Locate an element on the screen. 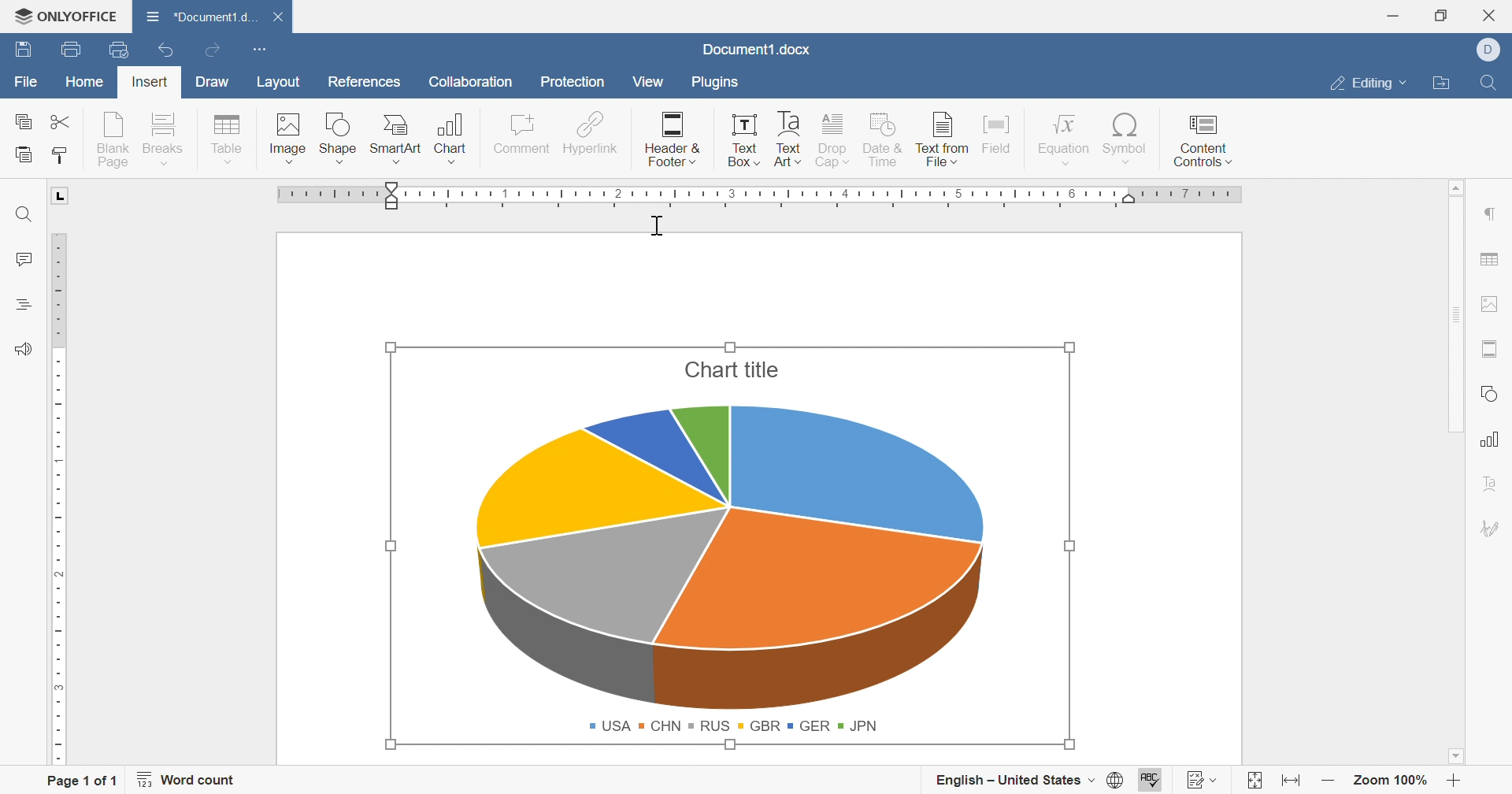 The width and height of the screenshot is (1512, 794). Text from File is located at coordinates (939, 136).